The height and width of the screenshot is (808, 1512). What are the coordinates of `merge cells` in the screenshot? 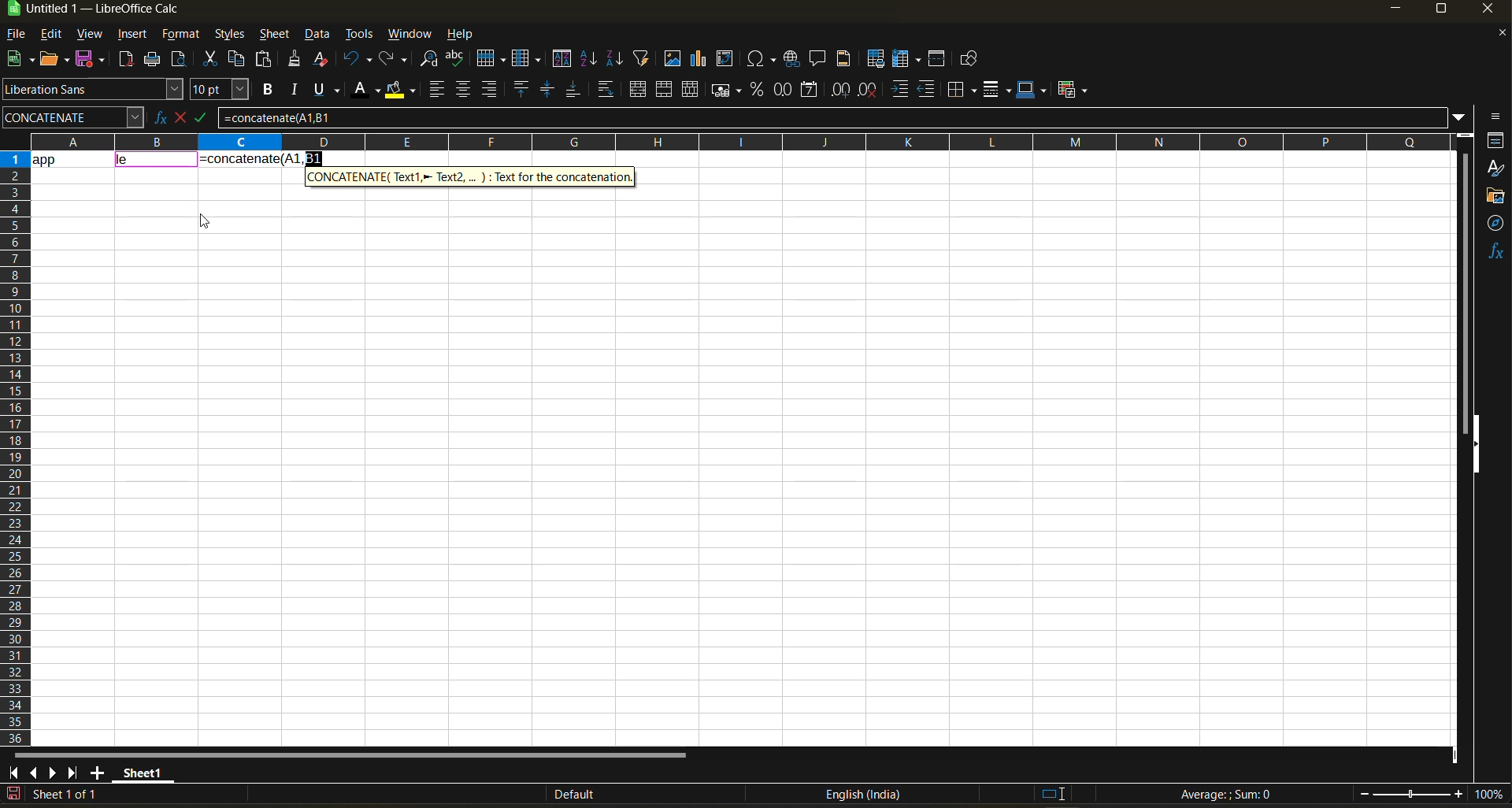 It's located at (666, 92).